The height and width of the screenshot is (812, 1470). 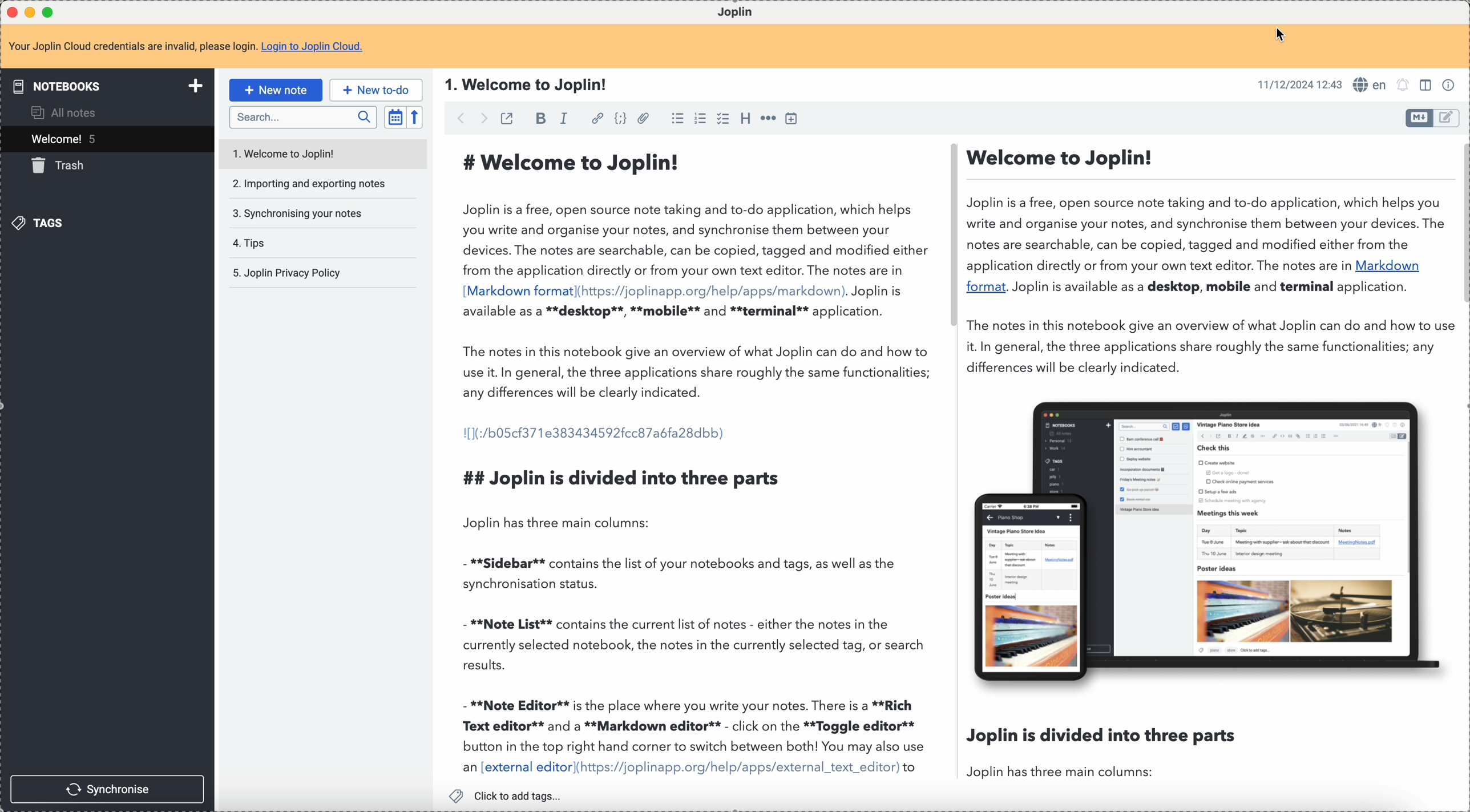 I want to click on Markdown, so click(x=1393, y=266).